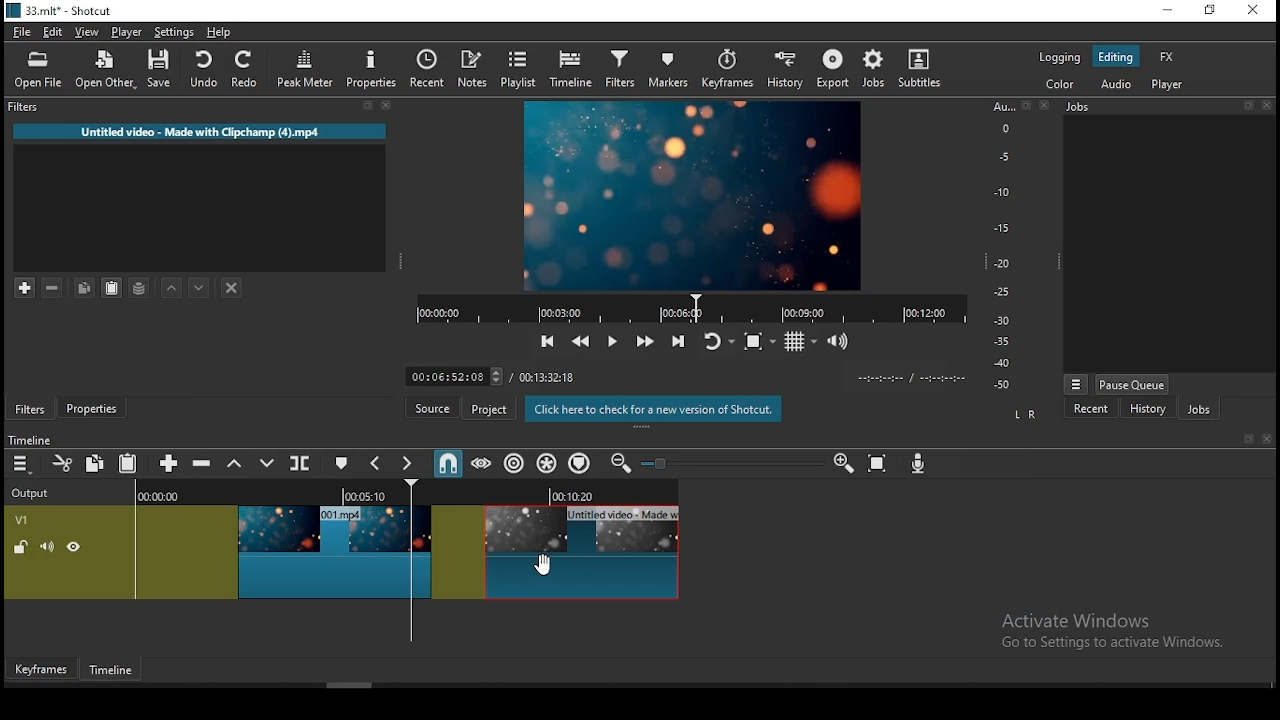 This screenshot has height=720, width=1280. Describe the element at coordinates (1269, 440) in the screenshot. I see `close` at that location.